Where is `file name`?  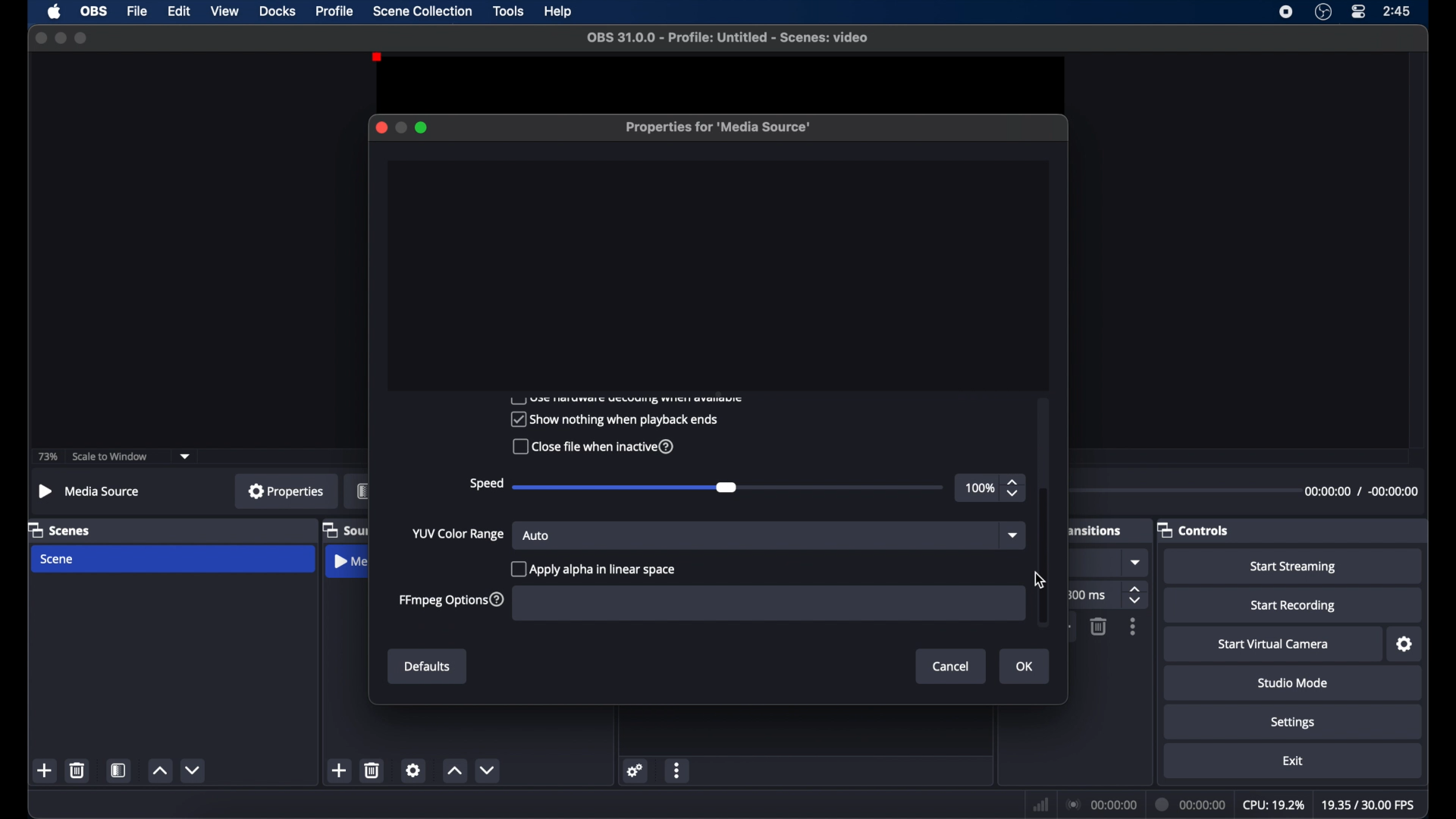
file name is located at coordinates (727, 37).